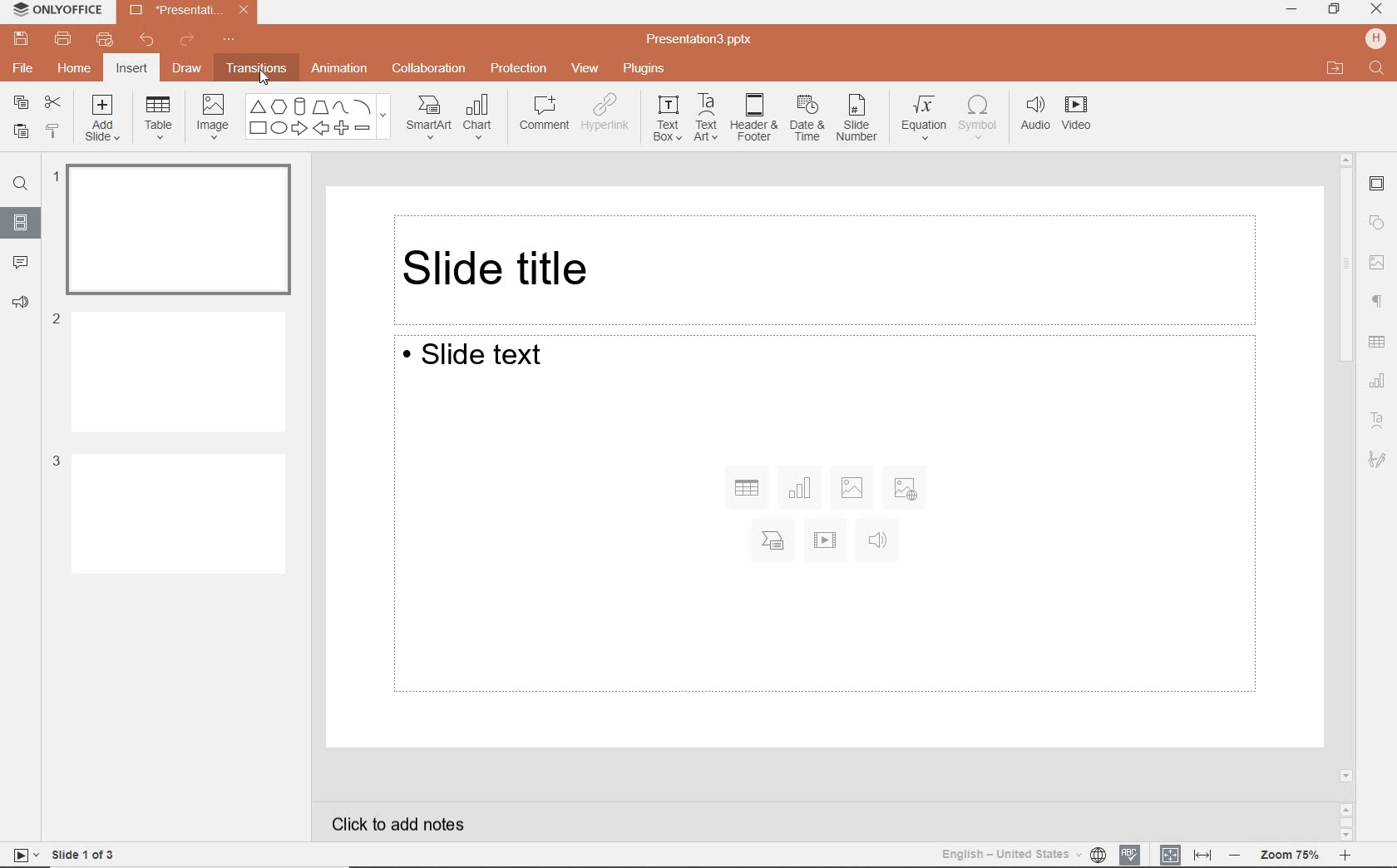  What do you see at coordinates (1022, 854) in the screenshot?
I see `TEXT LANGUAGE` at bounding box center [1022, 854].